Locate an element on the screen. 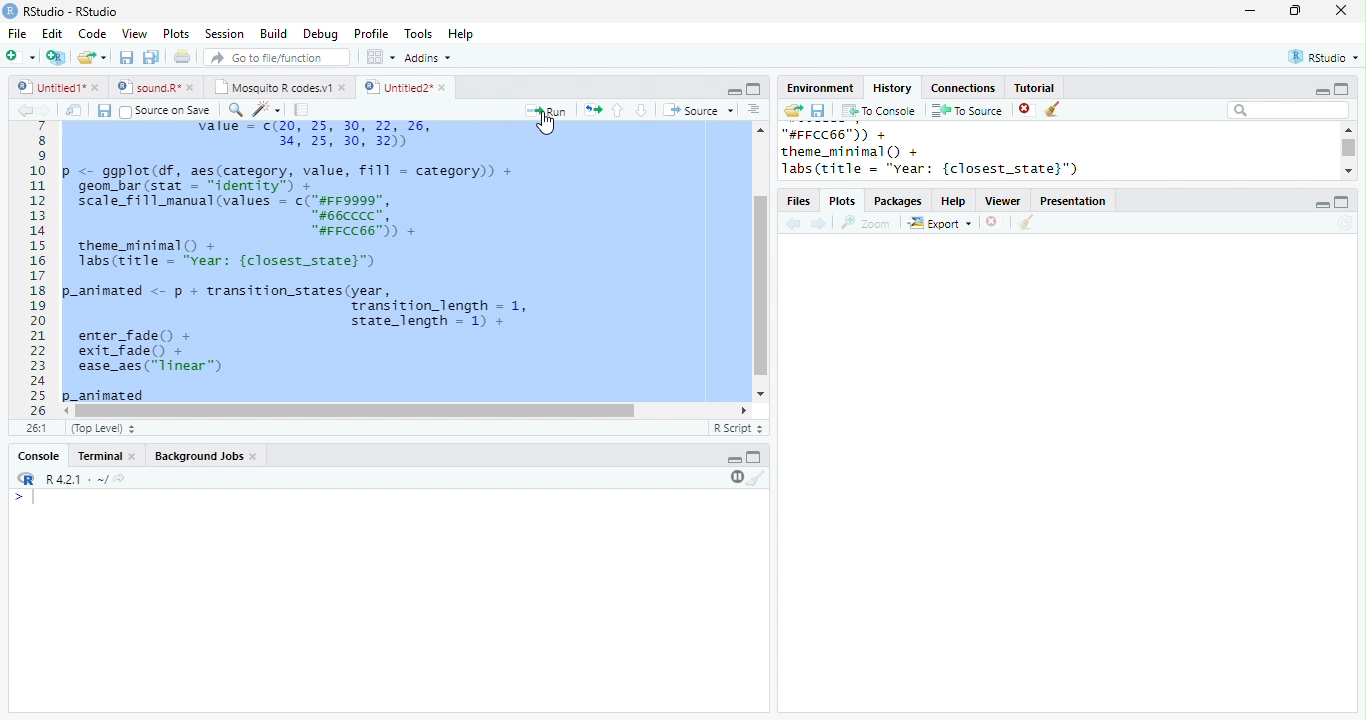 Image resolution: width=1366 pixels, height=720 pixels. scroll up  is located at coordinates (761, 129).